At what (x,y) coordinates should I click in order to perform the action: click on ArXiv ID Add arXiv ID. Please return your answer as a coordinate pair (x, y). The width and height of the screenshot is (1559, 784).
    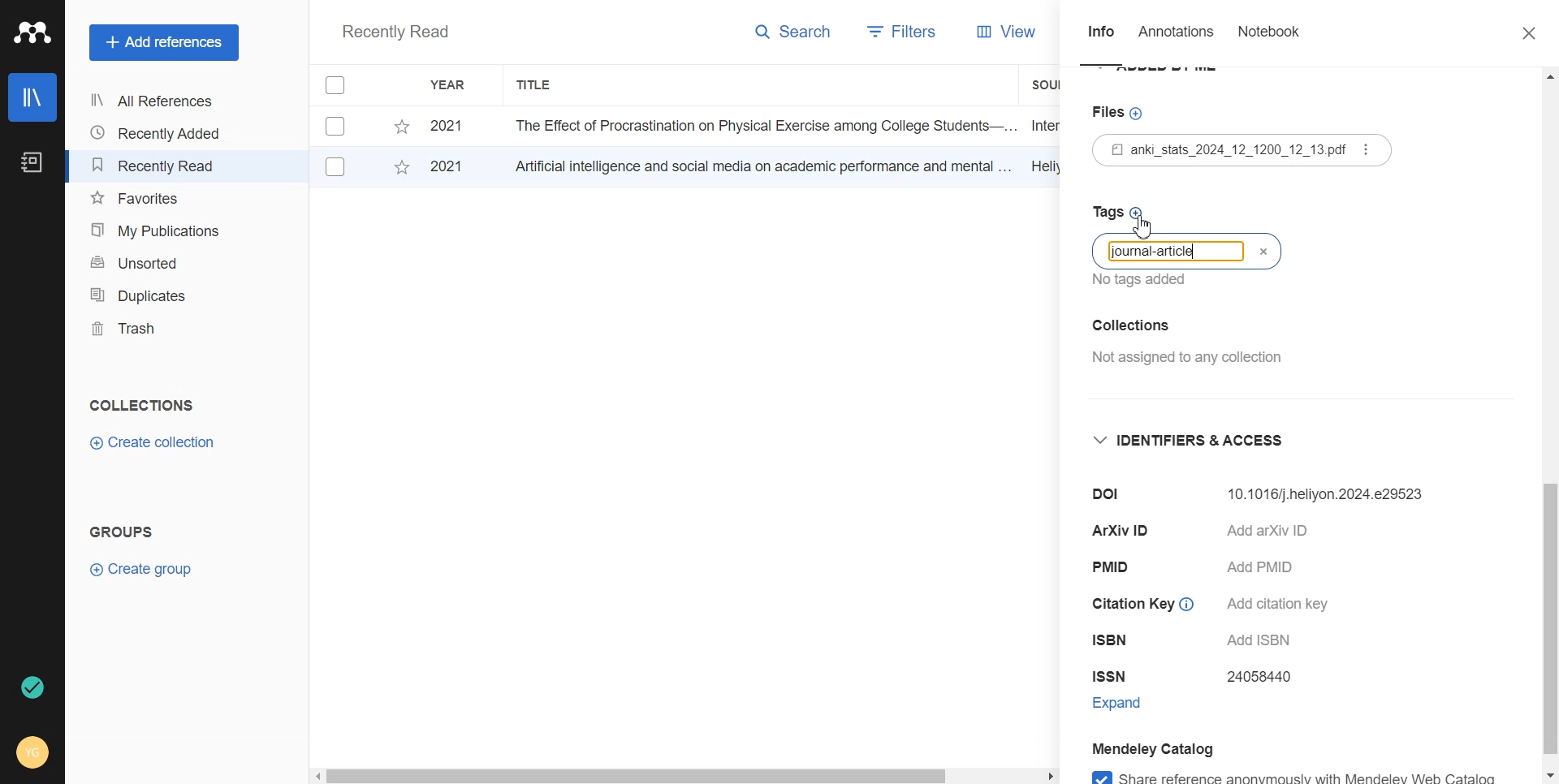
    Looking at the image, I should click on (1225, 533).